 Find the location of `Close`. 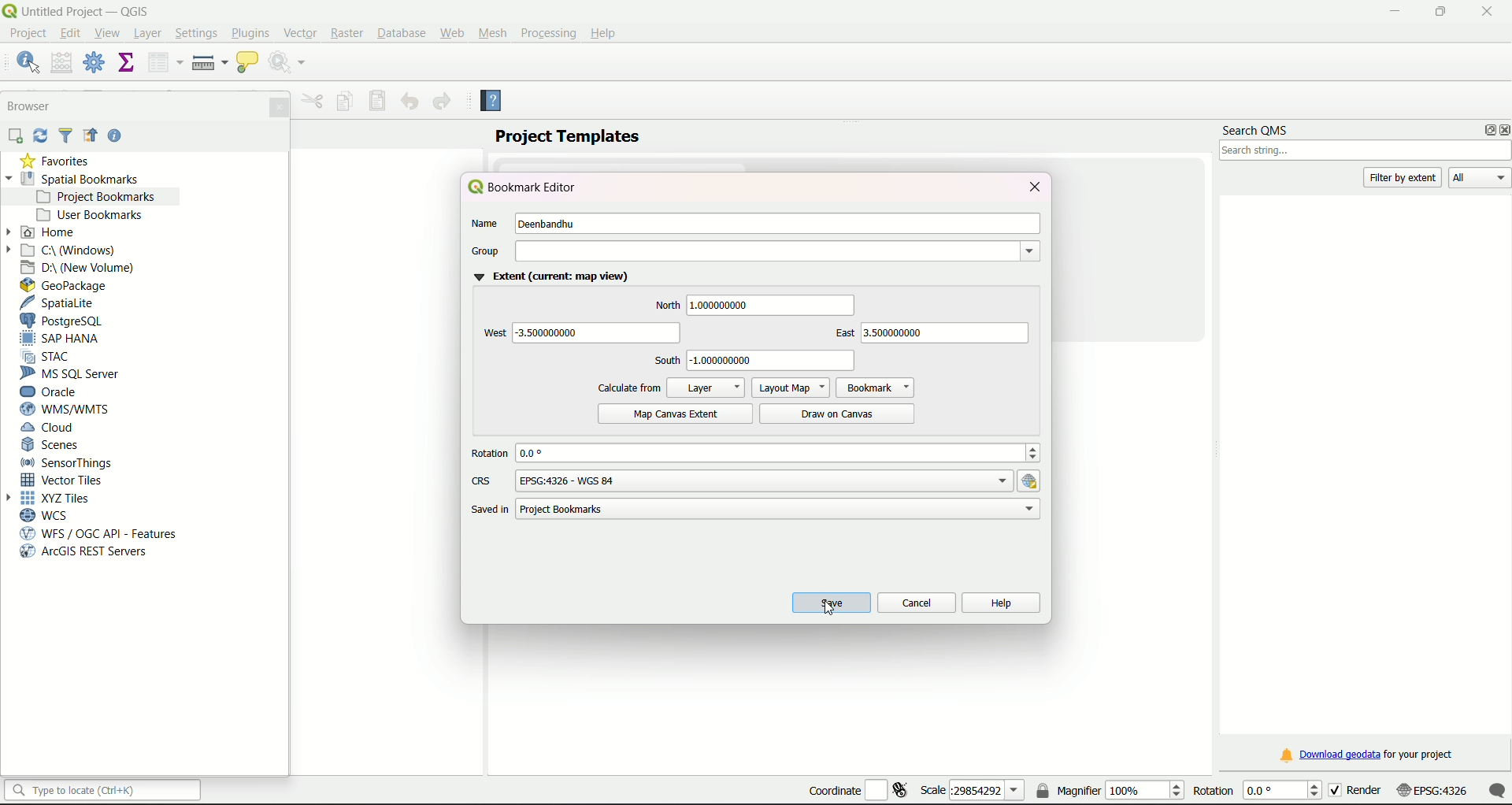

Close is located at coordinates (277, 107).